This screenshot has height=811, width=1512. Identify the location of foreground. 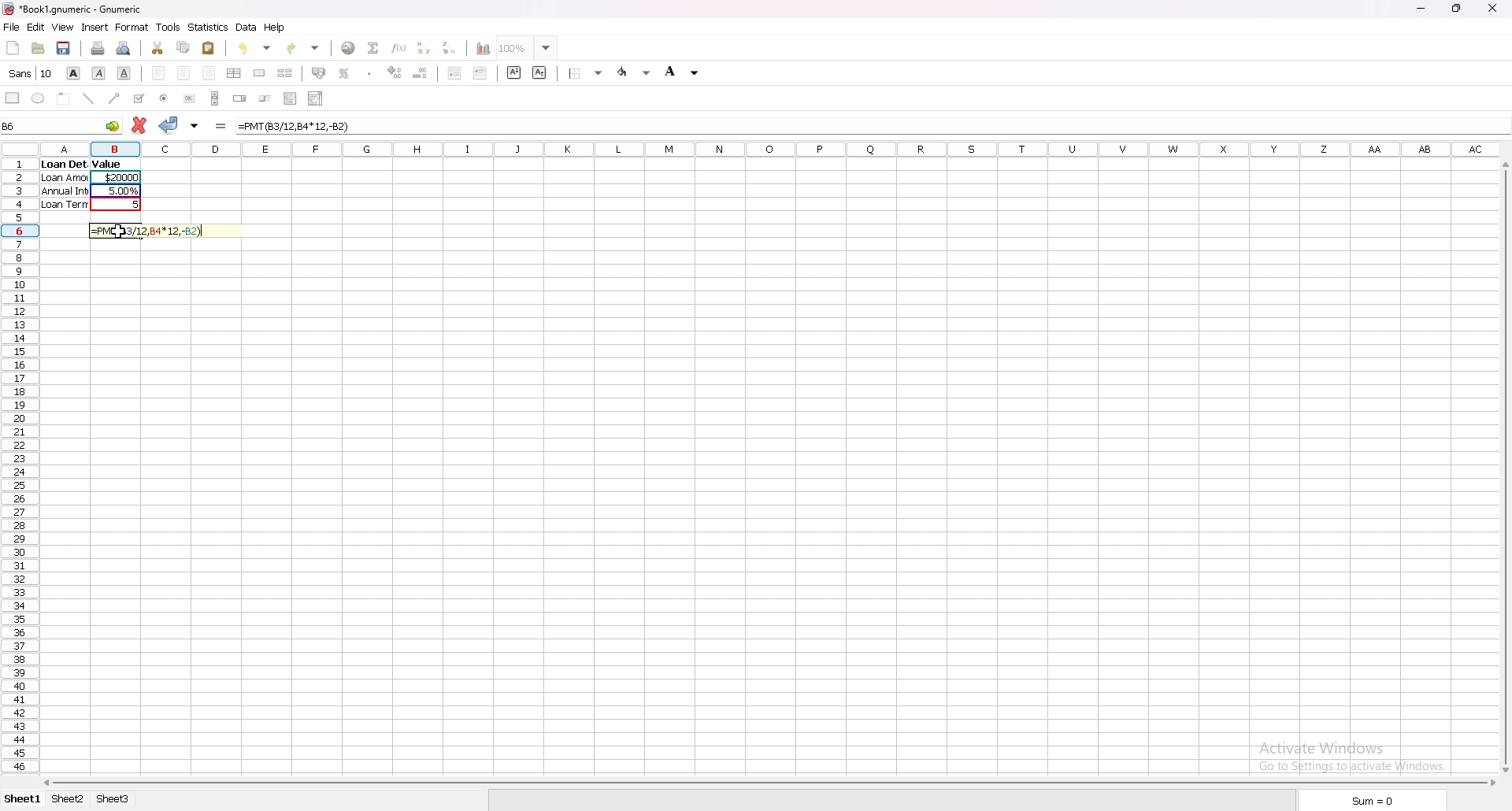
(635, 72).